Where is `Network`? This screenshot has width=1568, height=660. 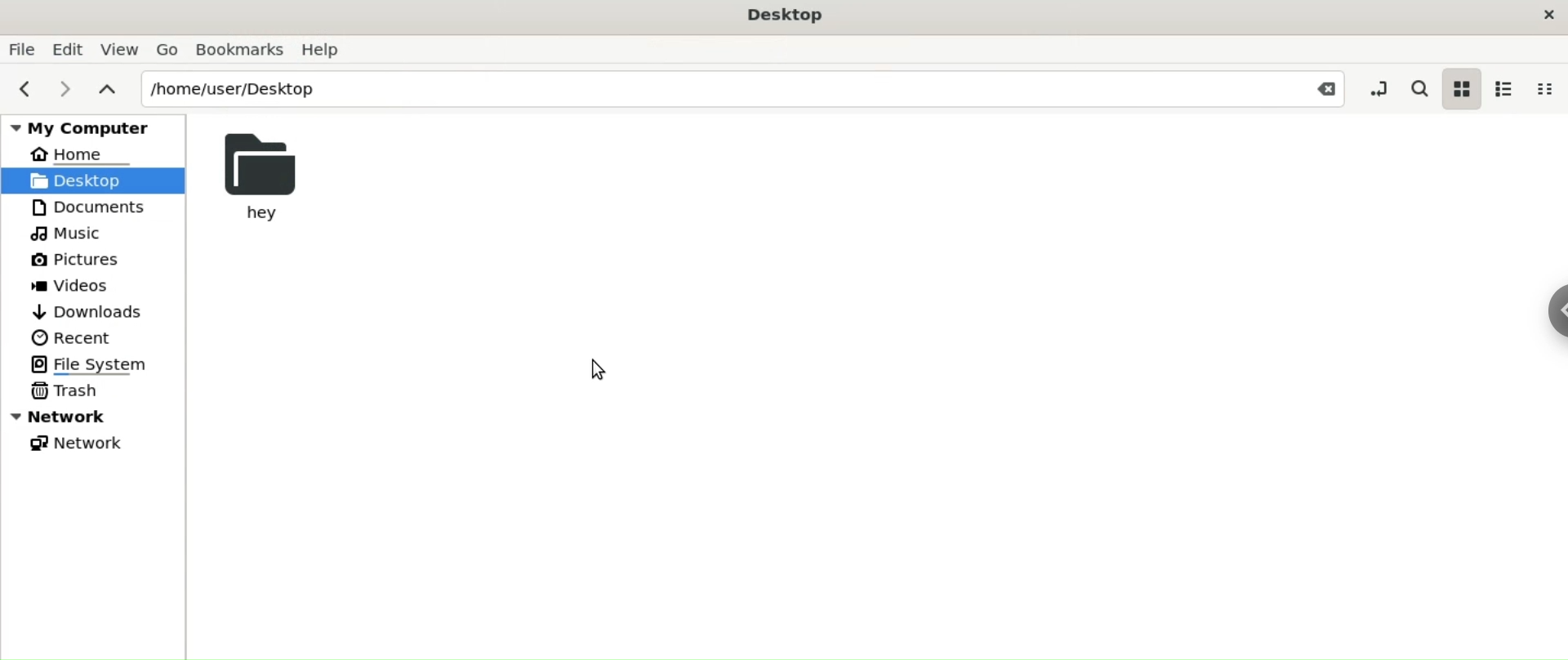
Network is located at coordinates (93, 415).